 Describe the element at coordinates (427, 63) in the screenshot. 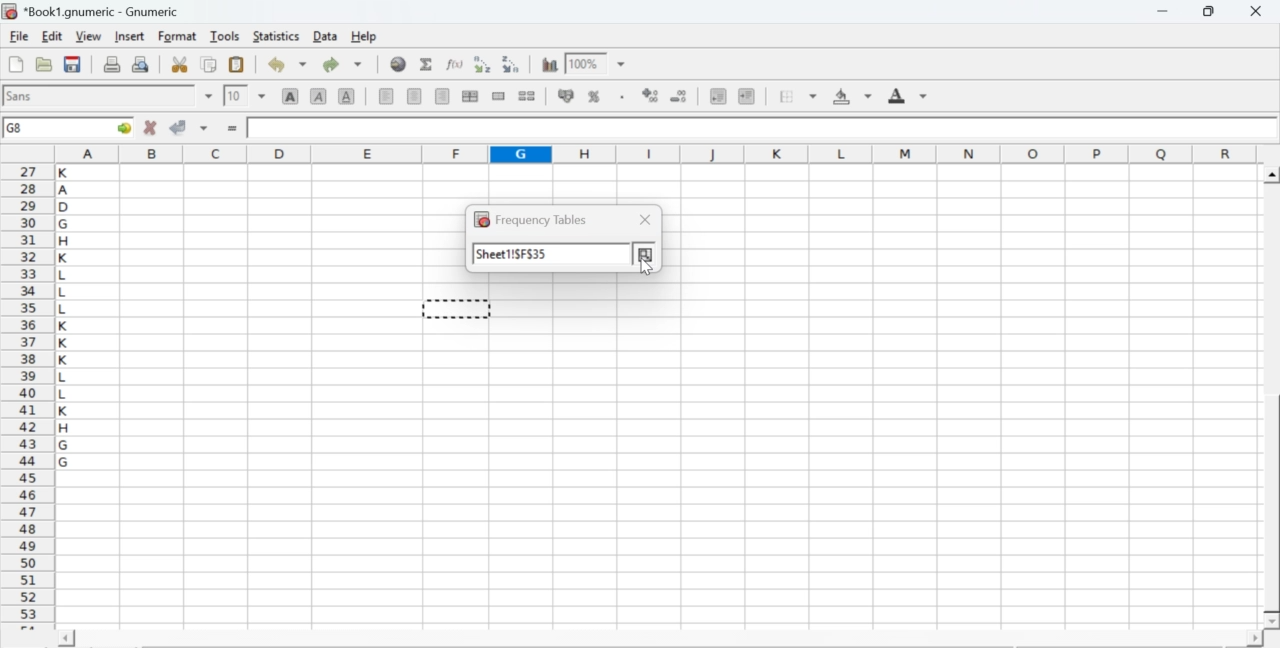

I see `sum in current cell` at that location.